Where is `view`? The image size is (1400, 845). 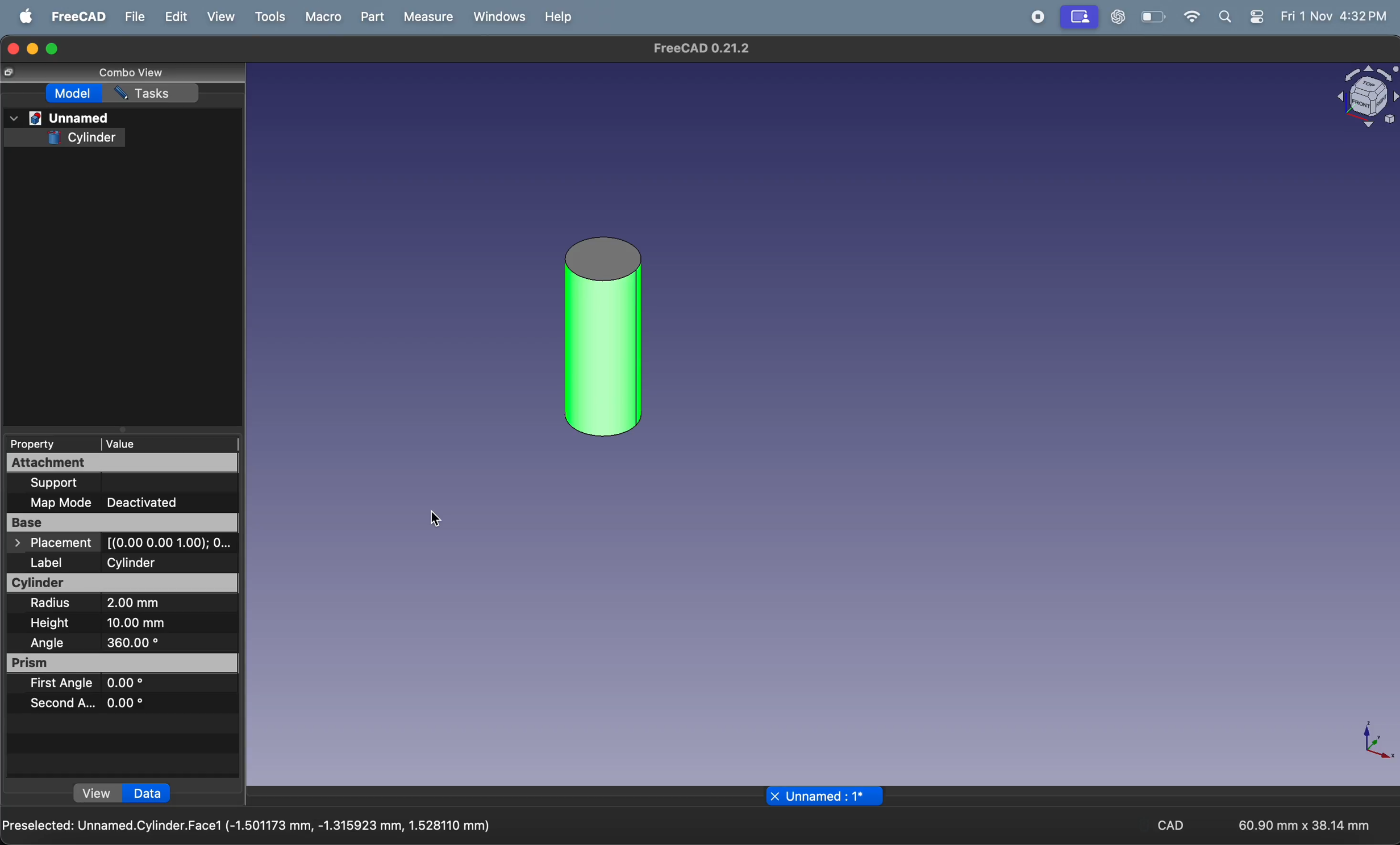
view is located at coordinates (98, 793).